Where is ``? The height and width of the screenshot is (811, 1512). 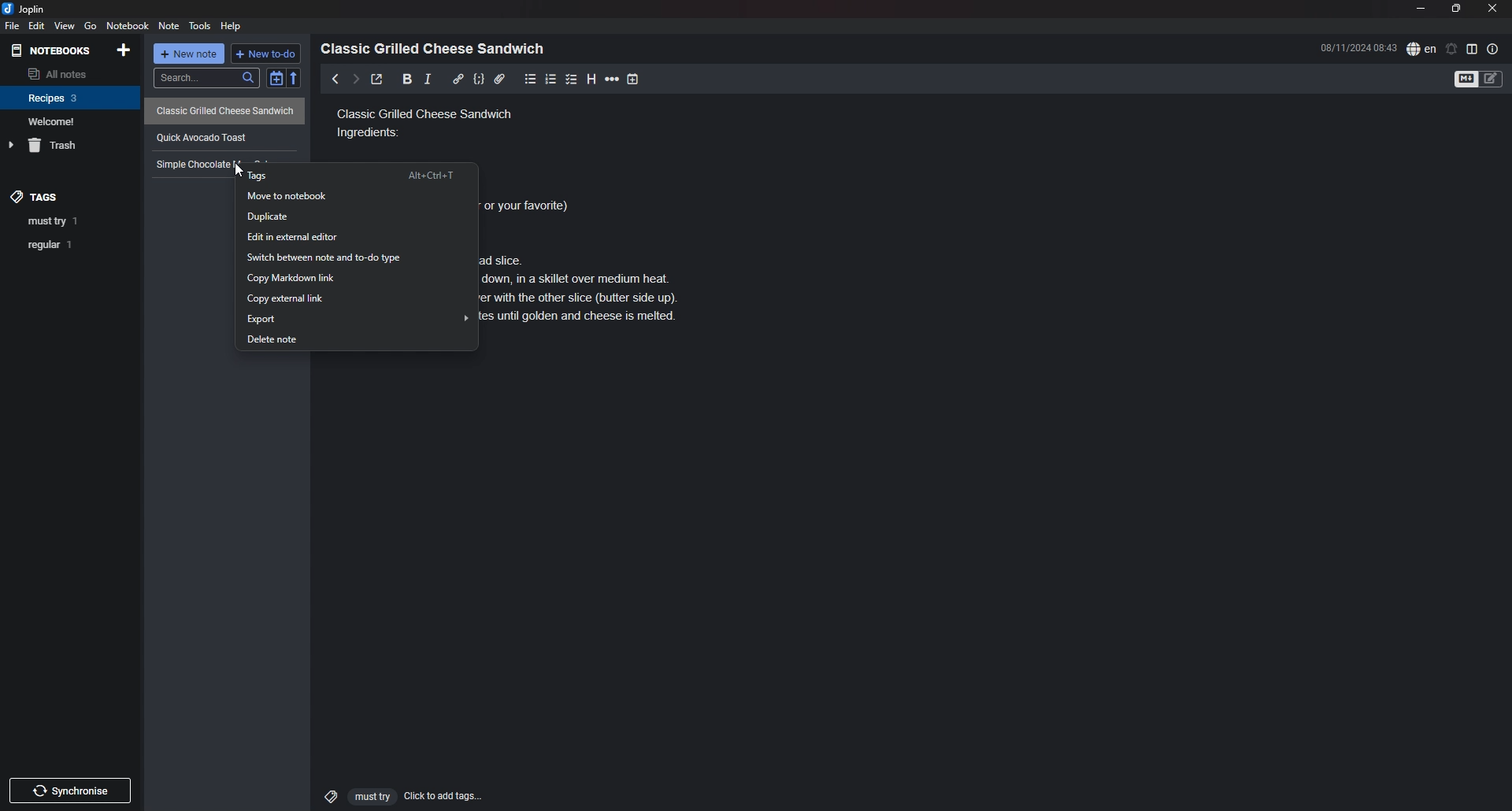
 is located at coordinates (70, 787).